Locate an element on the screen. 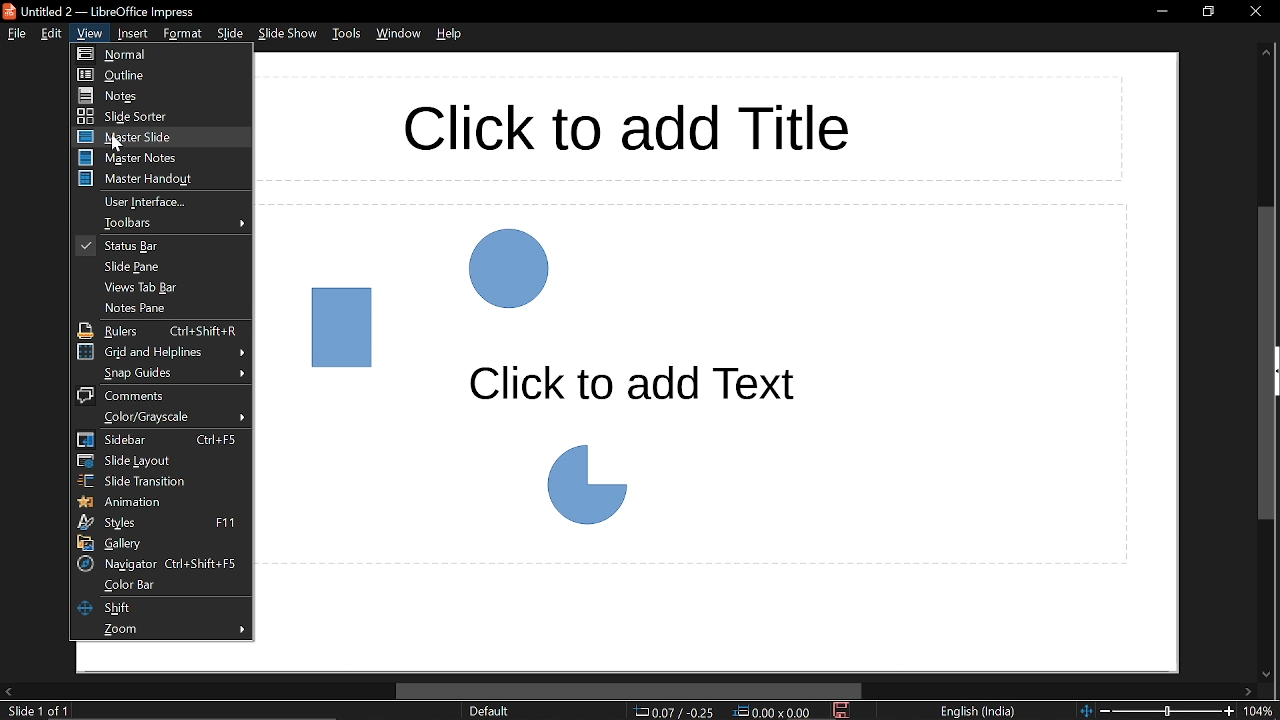 This screenshot has width=1280, height=720. Horizontal scrollbar is located at coordinates (630, 690).